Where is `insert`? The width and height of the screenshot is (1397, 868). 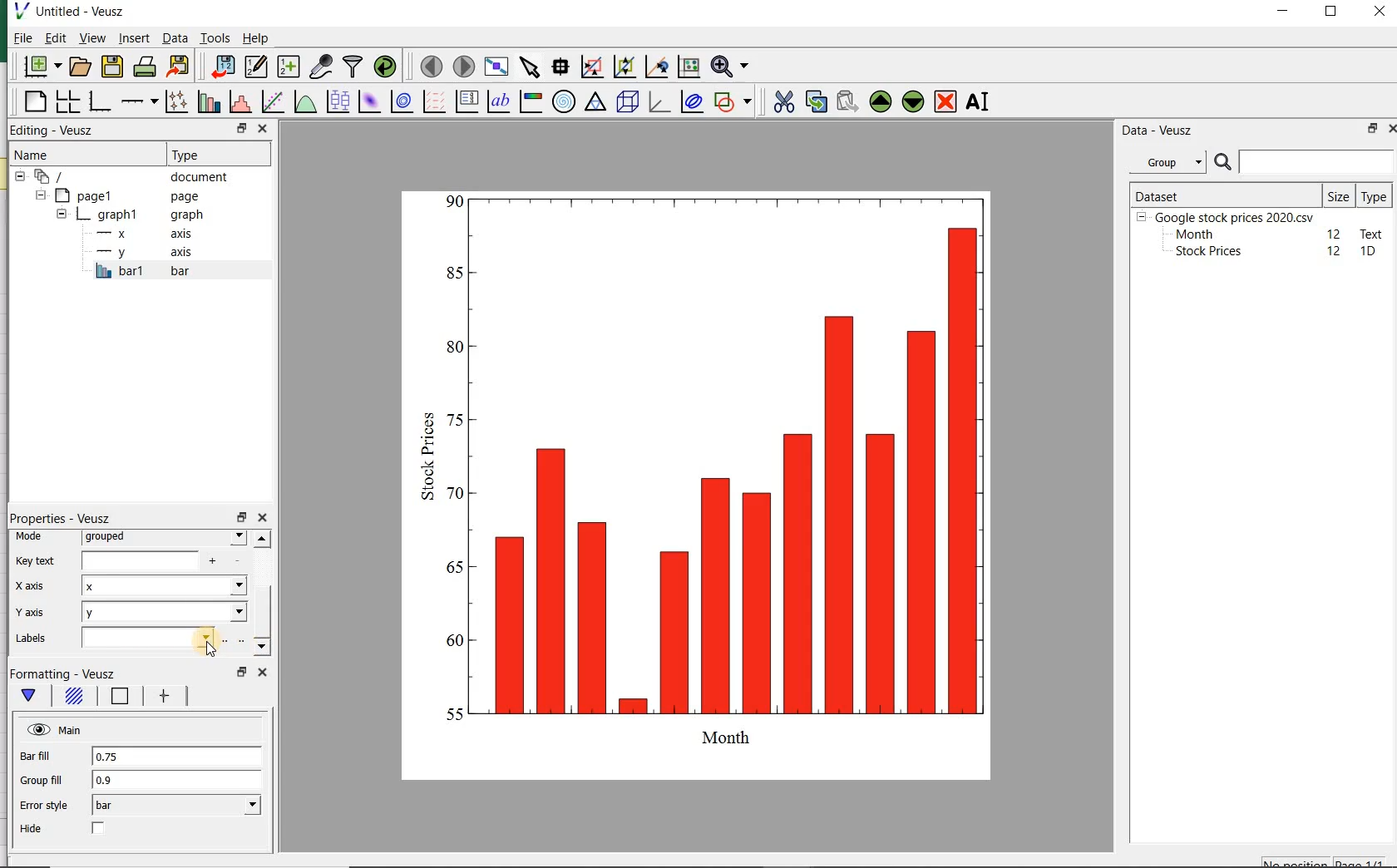
insert is located at coordinates (134, 39).